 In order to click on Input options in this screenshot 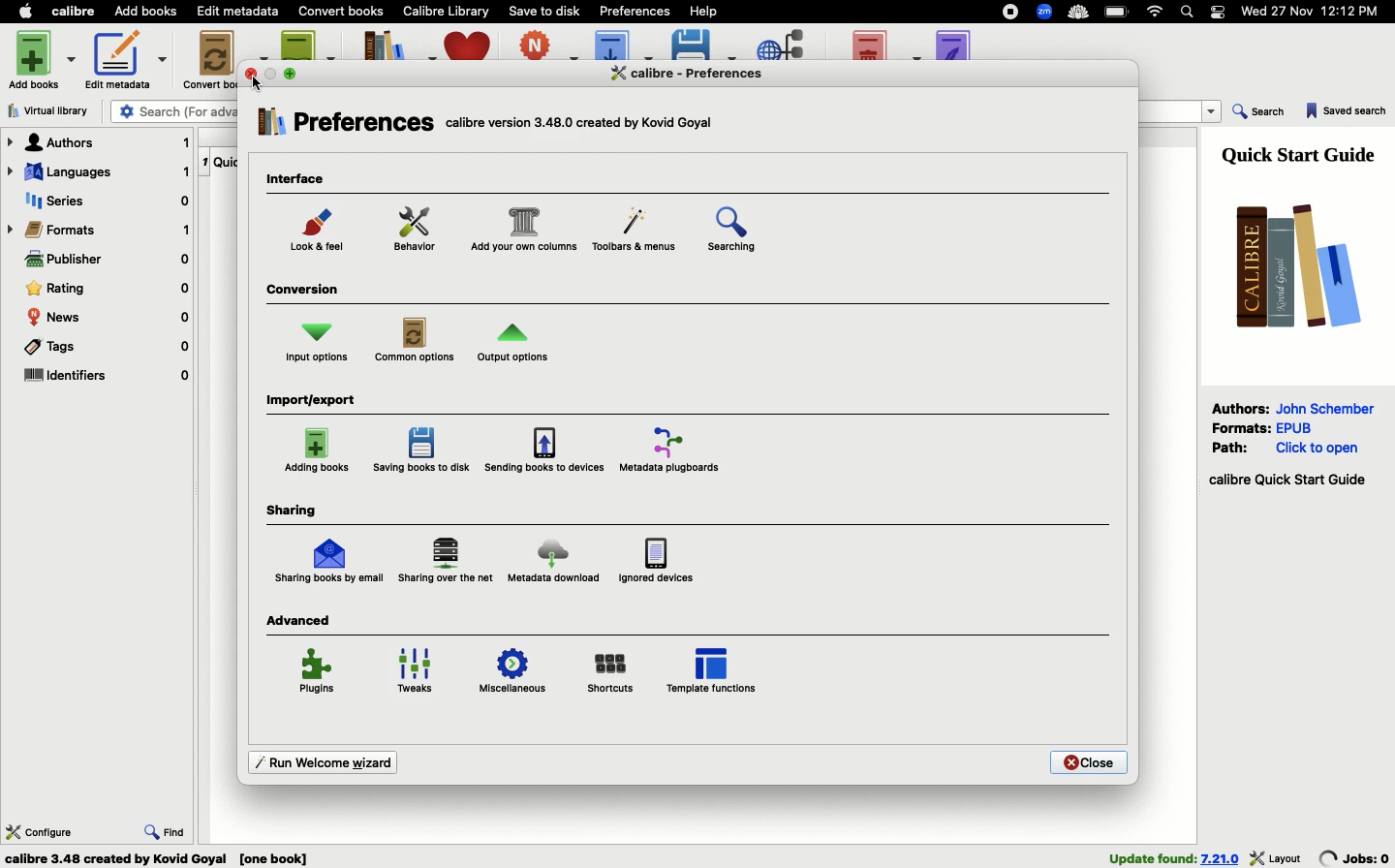, I will do `click(318, 342)`.